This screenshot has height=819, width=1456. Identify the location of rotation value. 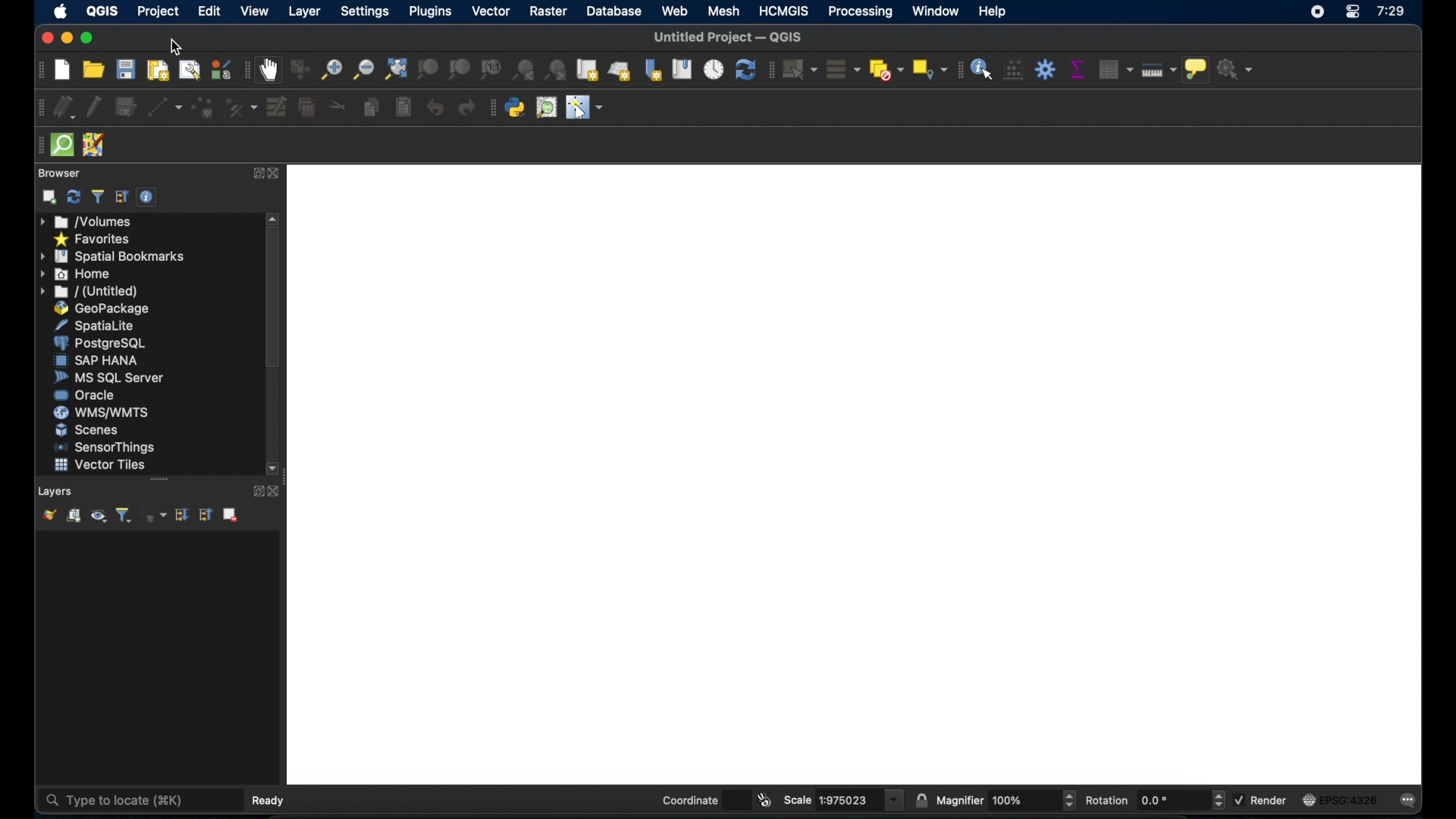
(1172, 799).